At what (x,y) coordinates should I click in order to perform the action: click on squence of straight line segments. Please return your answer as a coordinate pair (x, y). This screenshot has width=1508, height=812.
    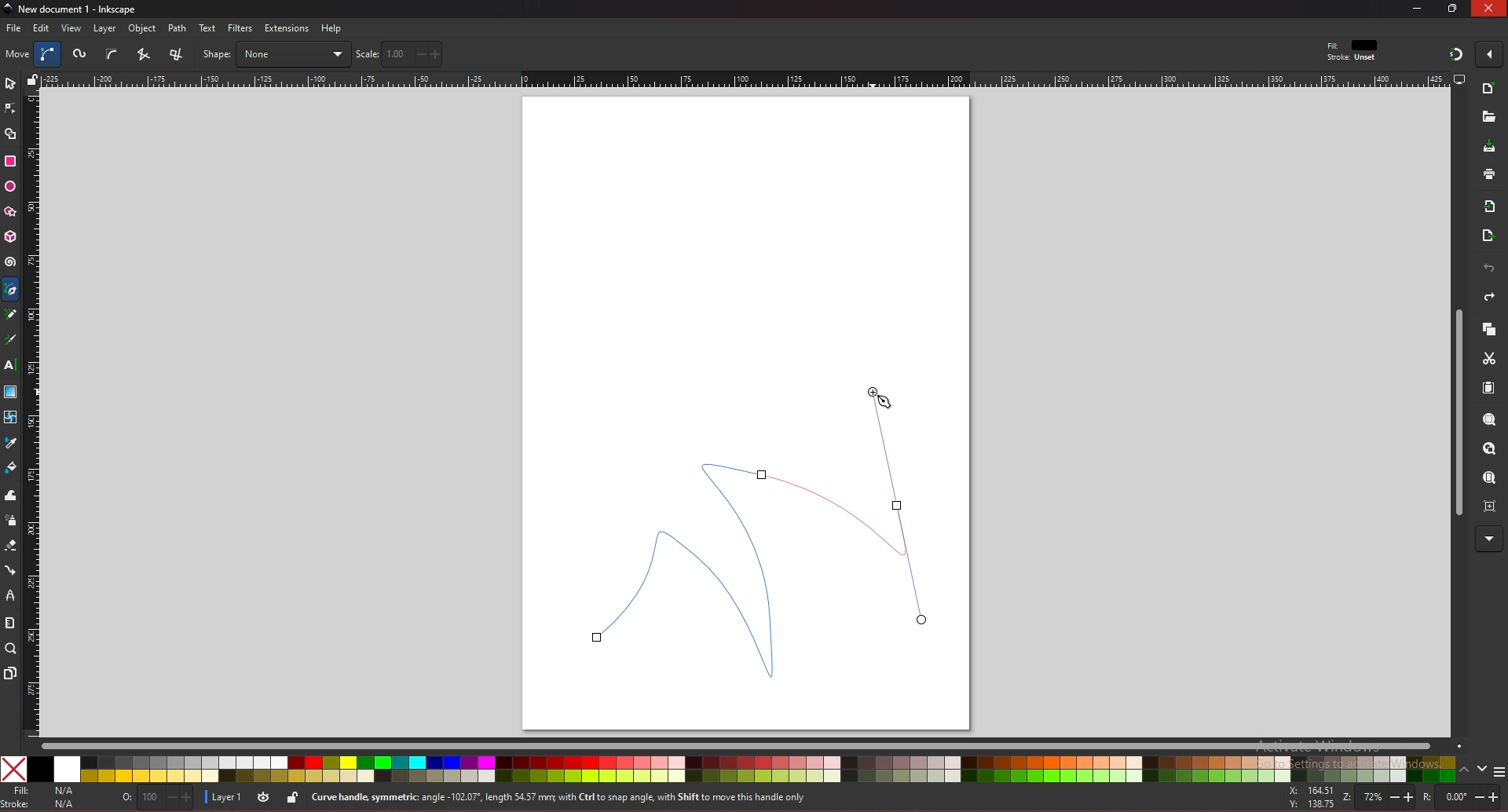
    Looking at the image, I should click on (143, 54).